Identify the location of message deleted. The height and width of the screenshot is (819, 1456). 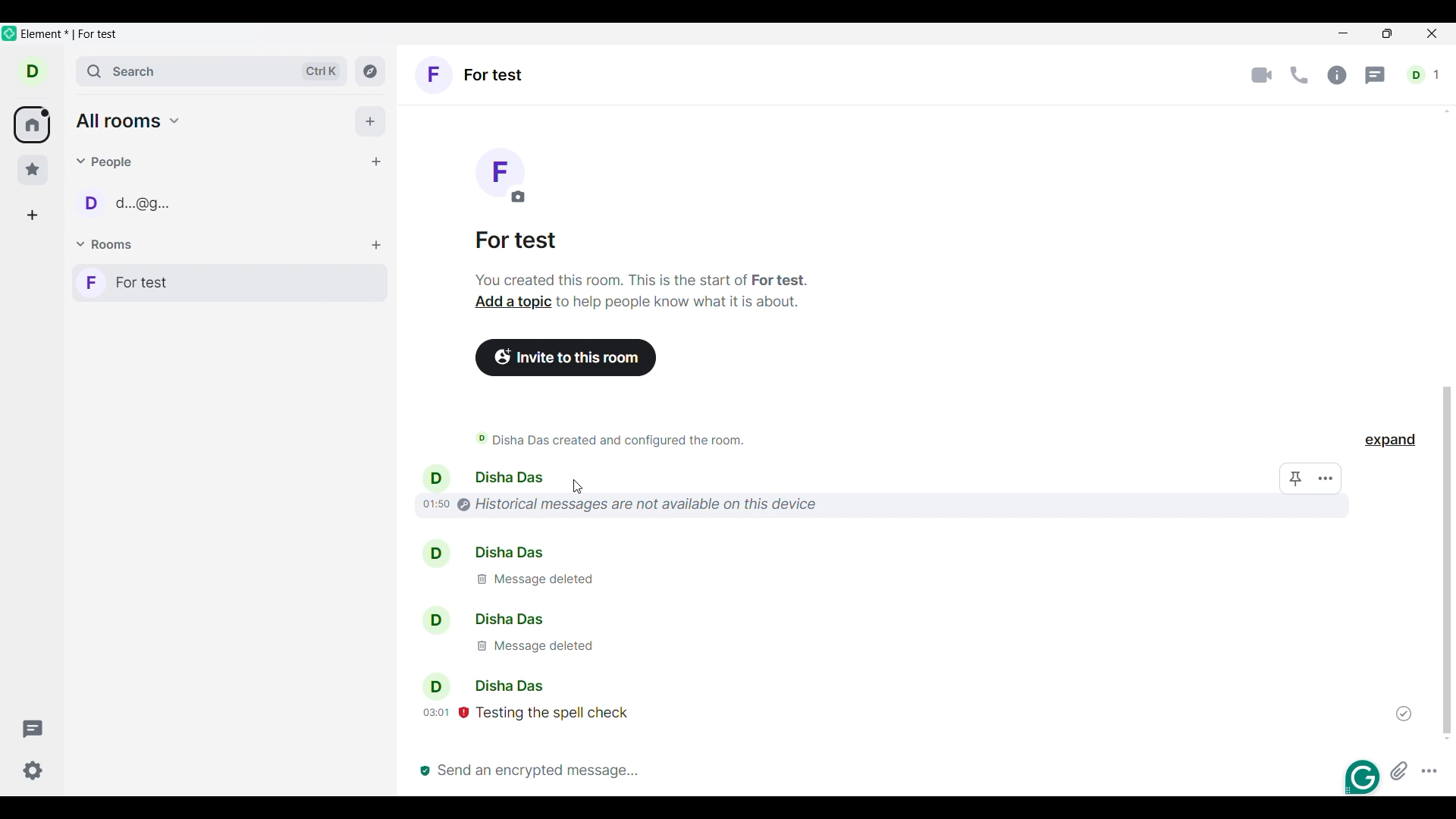
(532, 647).